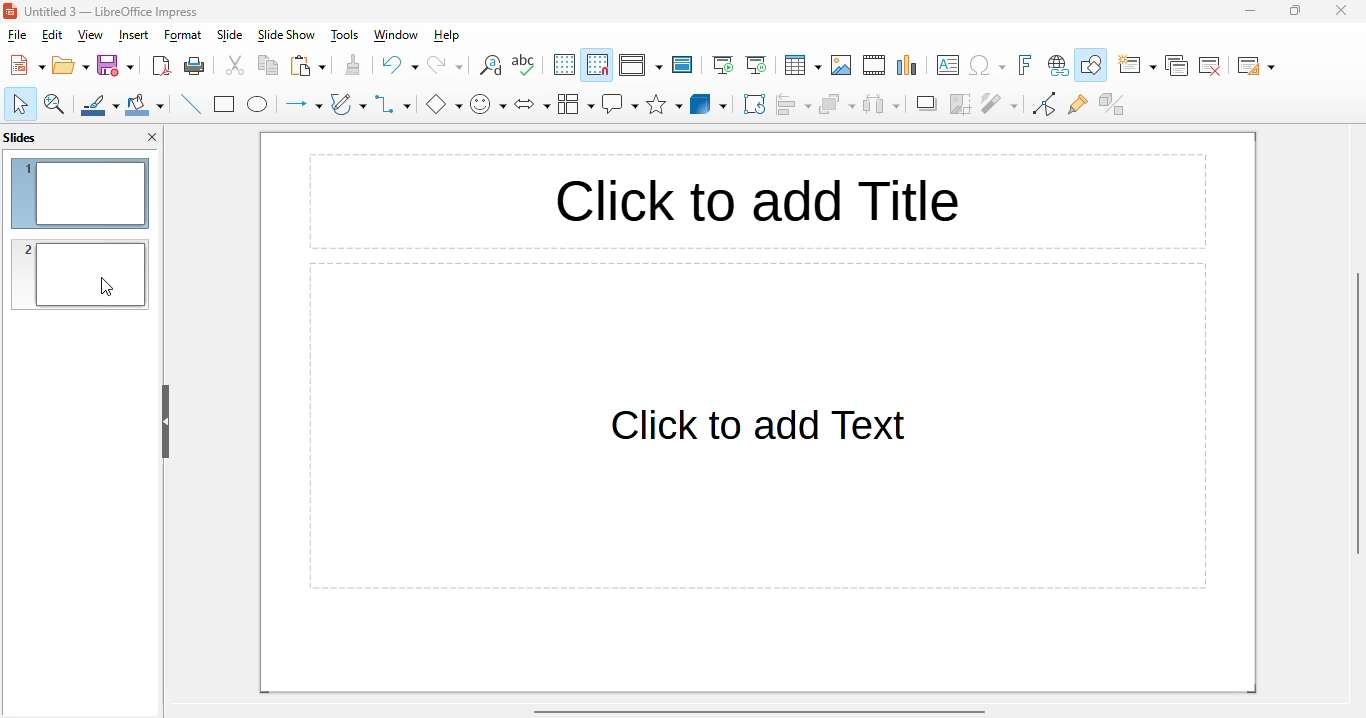 This screenshot has height=718, width=1366. I want to click on toggle extrusion, so click(1111, 104).